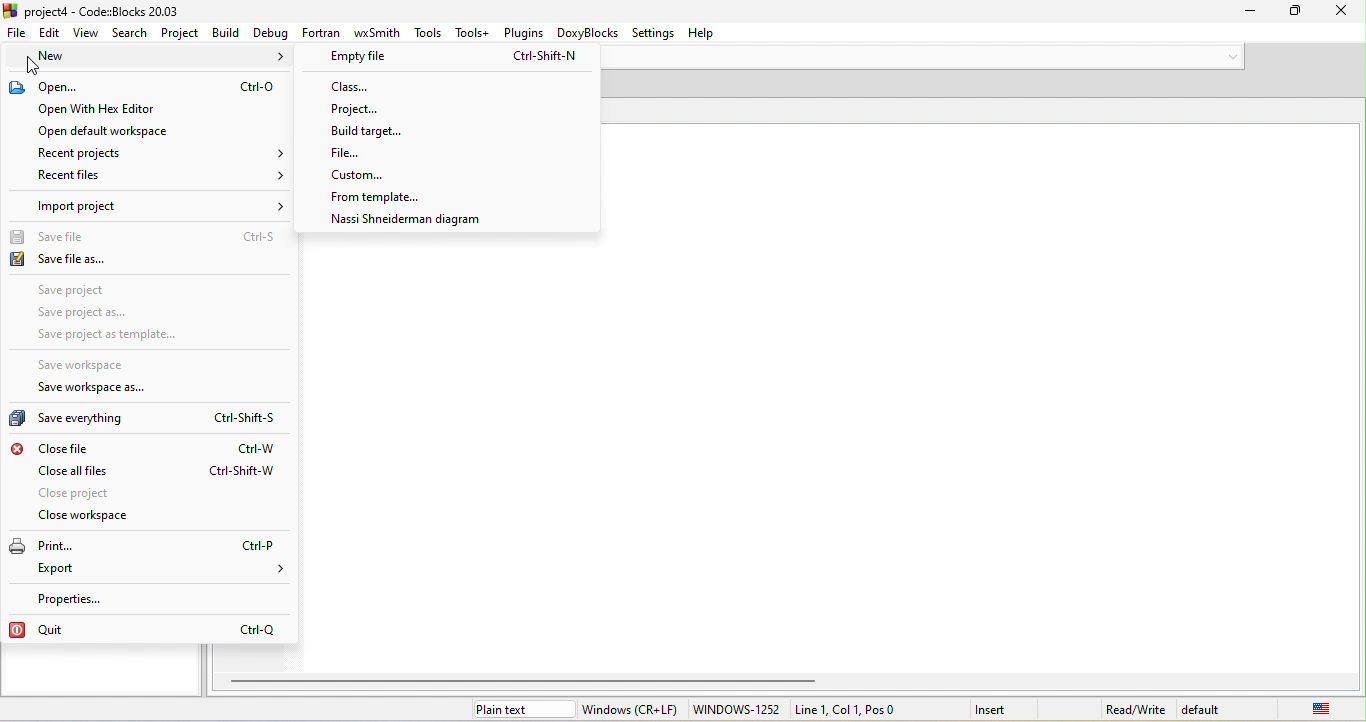  Describe the element at coordinates (869, 709) in the screenshot. I see `line 1, col 1, Pos0` at that location.